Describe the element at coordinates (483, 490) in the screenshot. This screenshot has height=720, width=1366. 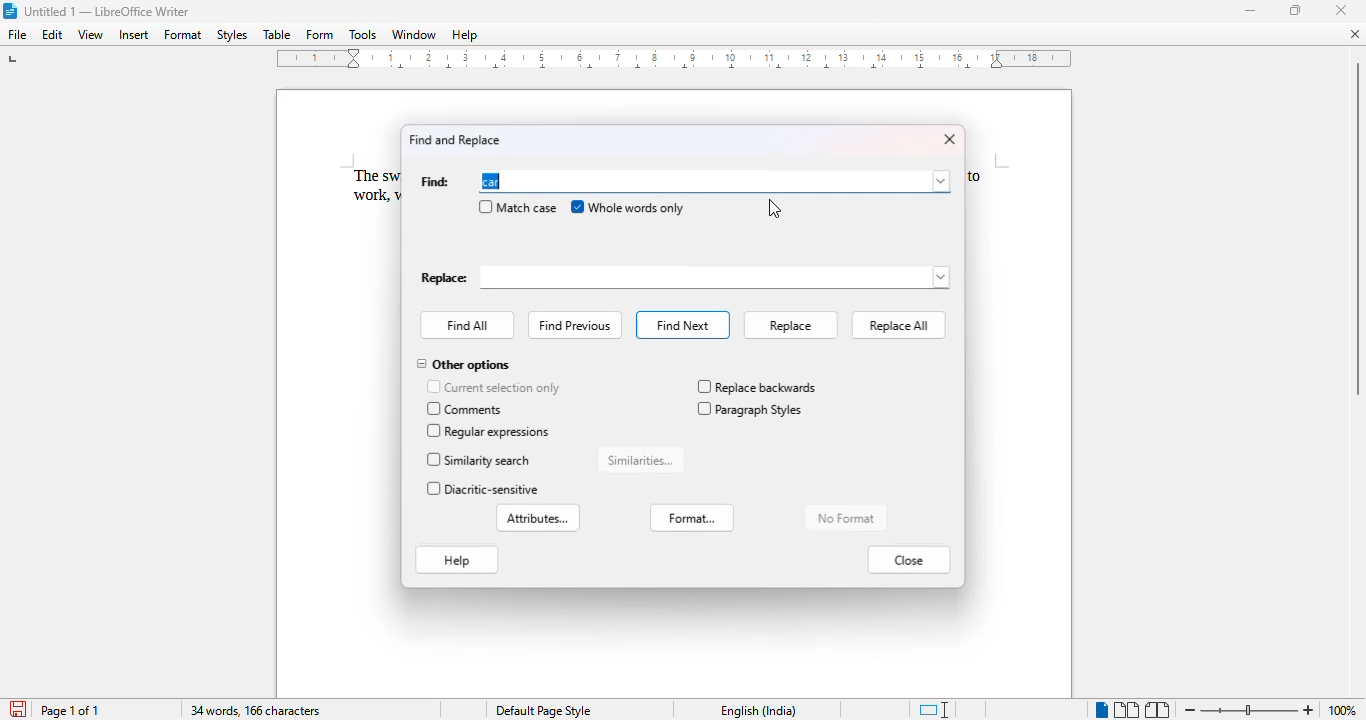
I see `diacritic-sensitive` at that location.